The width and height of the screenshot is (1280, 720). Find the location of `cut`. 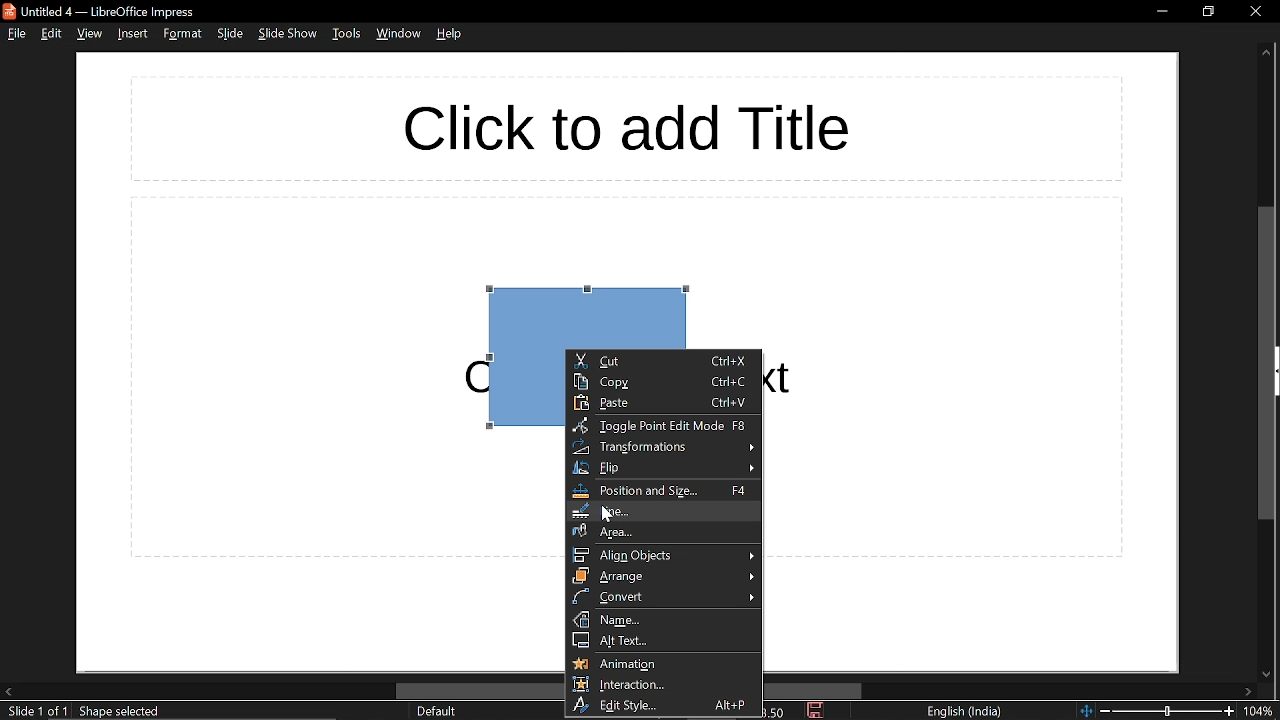

cut is located at coordinates (663, 361).